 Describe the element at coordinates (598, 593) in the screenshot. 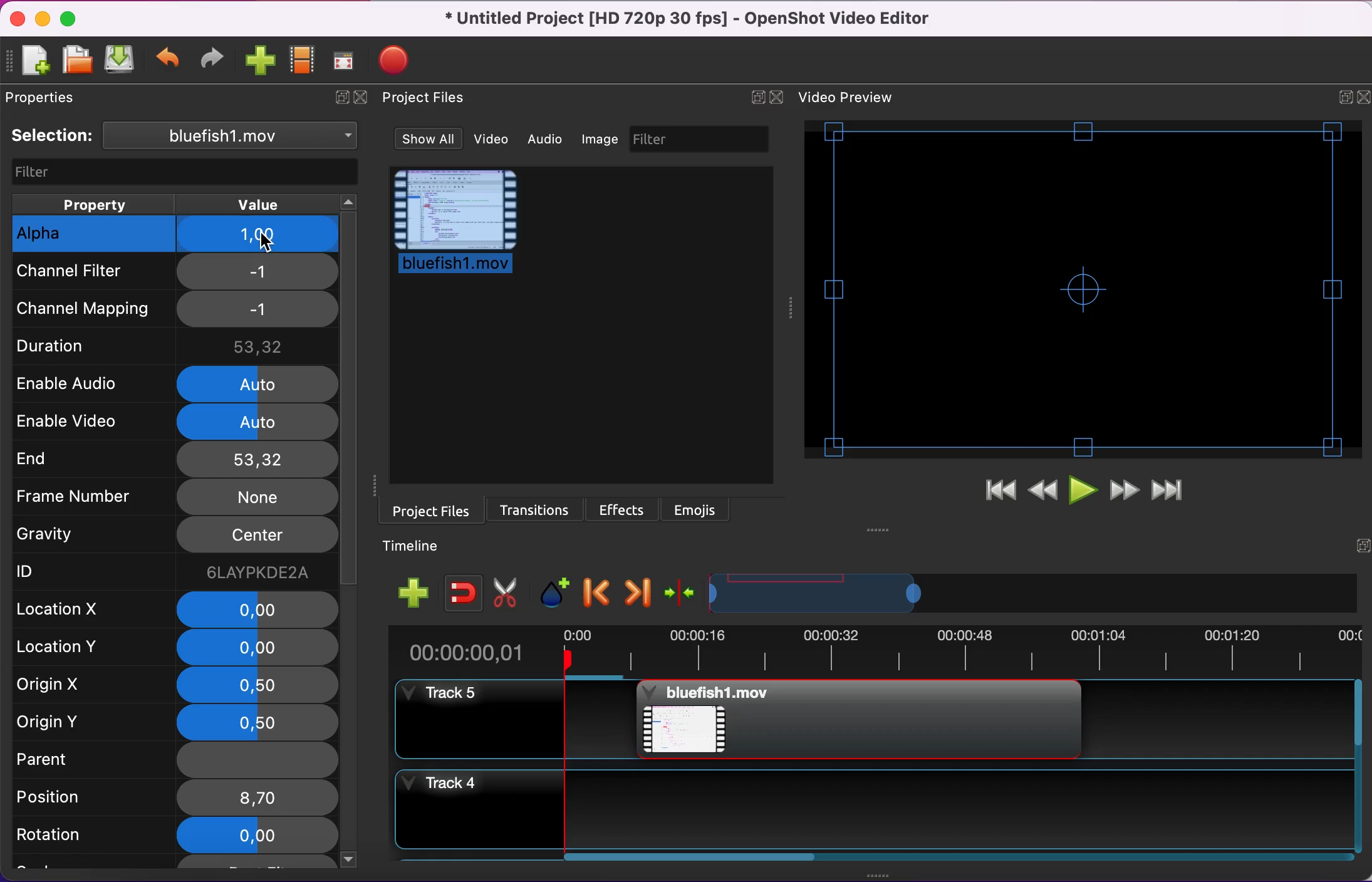

I see `previous marker` at that location.